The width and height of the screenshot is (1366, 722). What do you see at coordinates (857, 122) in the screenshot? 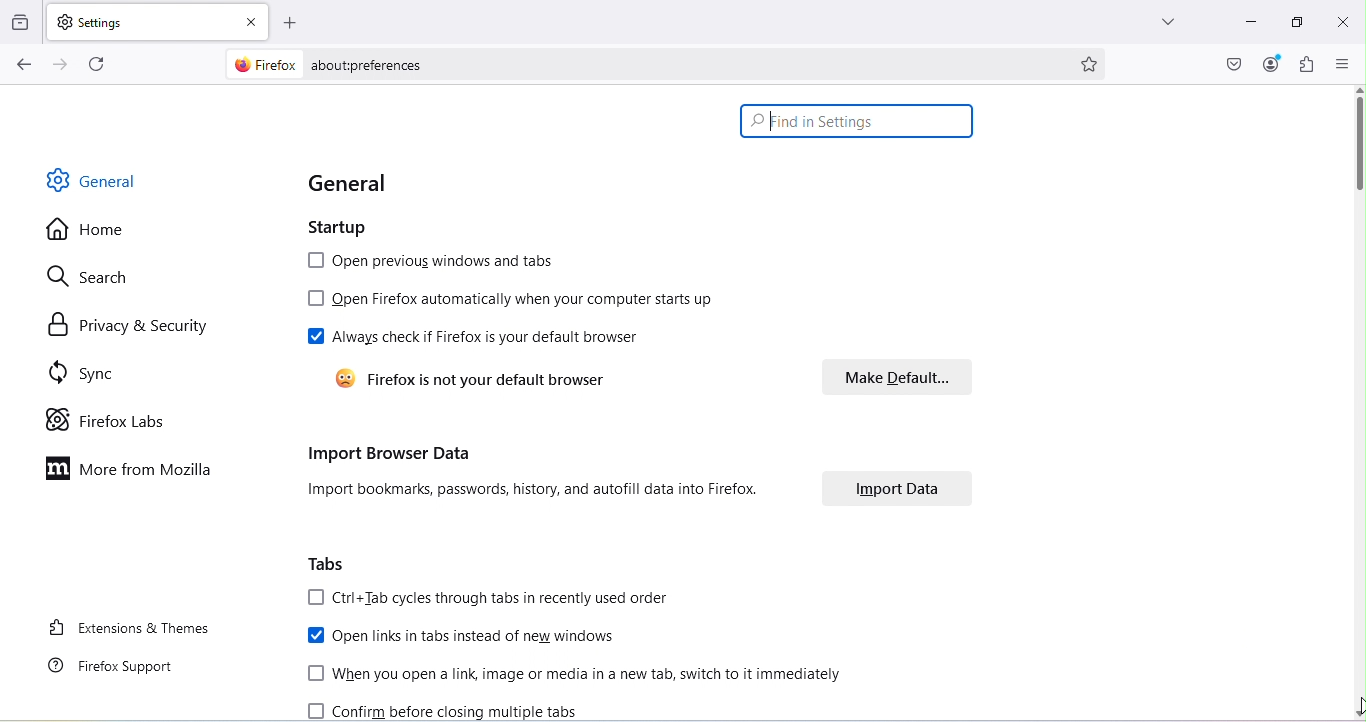
I see `Search bar` at bounding box center [857, 122].